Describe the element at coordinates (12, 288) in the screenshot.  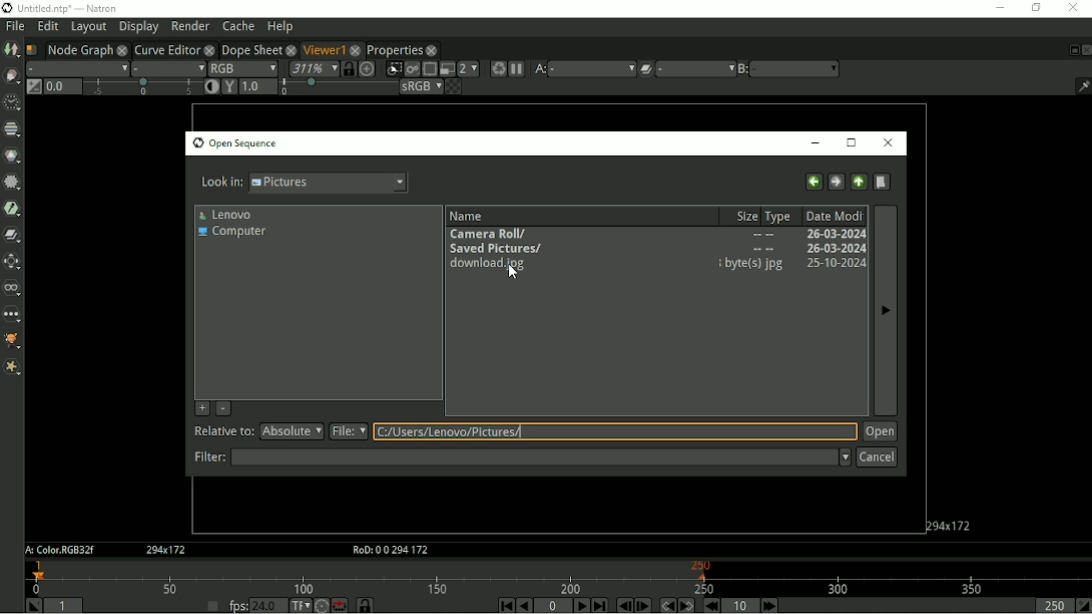
I see `Views` at that location.